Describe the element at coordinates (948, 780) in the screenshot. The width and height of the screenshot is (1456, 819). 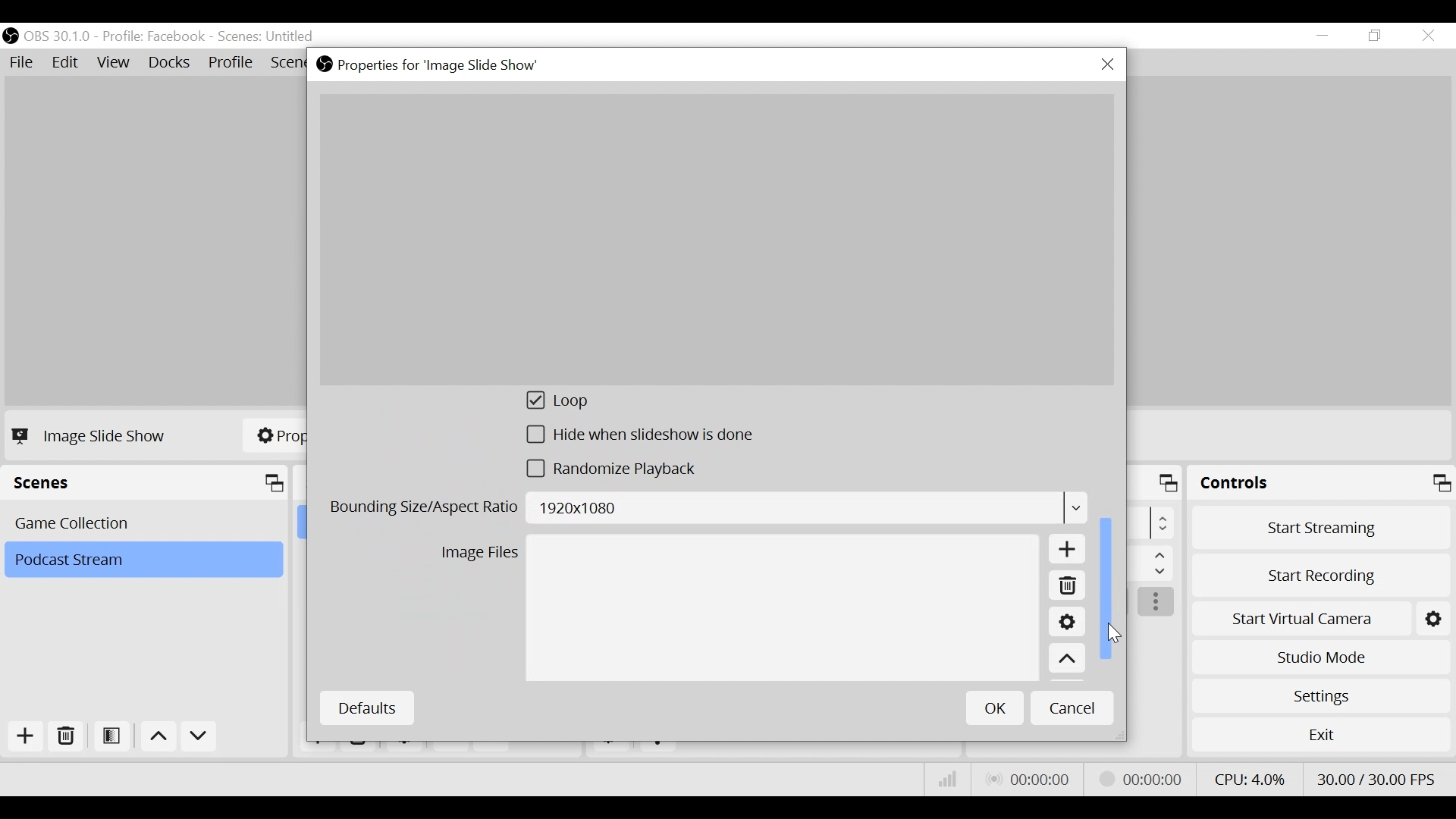
I see `Bitrate` at that location.